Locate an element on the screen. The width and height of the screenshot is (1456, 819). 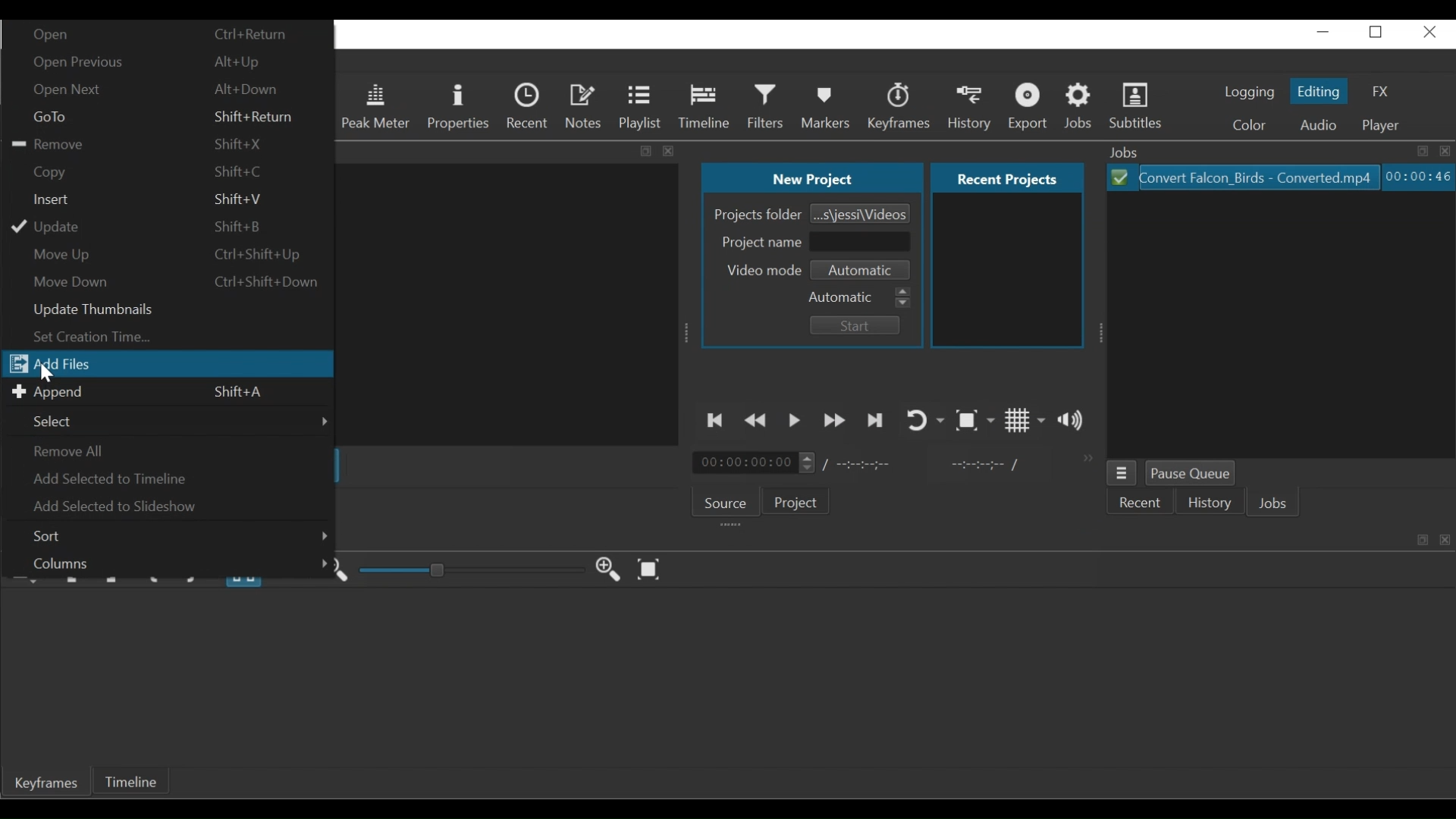
Editing is located at coordinates (1319, 89).